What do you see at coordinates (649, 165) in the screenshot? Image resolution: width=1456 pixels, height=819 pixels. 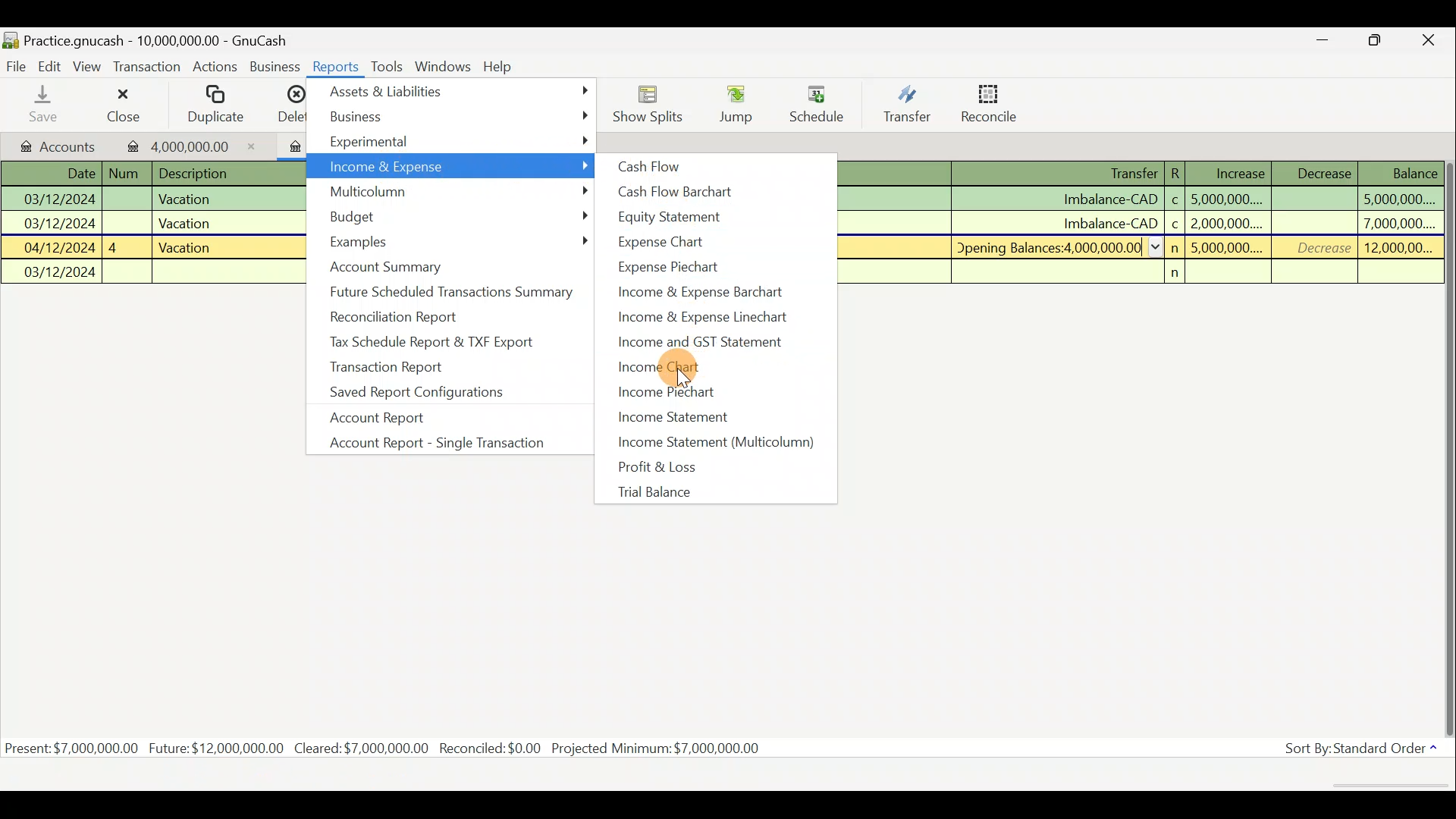 I see `Cash flow` at bounding box center [649, 165].